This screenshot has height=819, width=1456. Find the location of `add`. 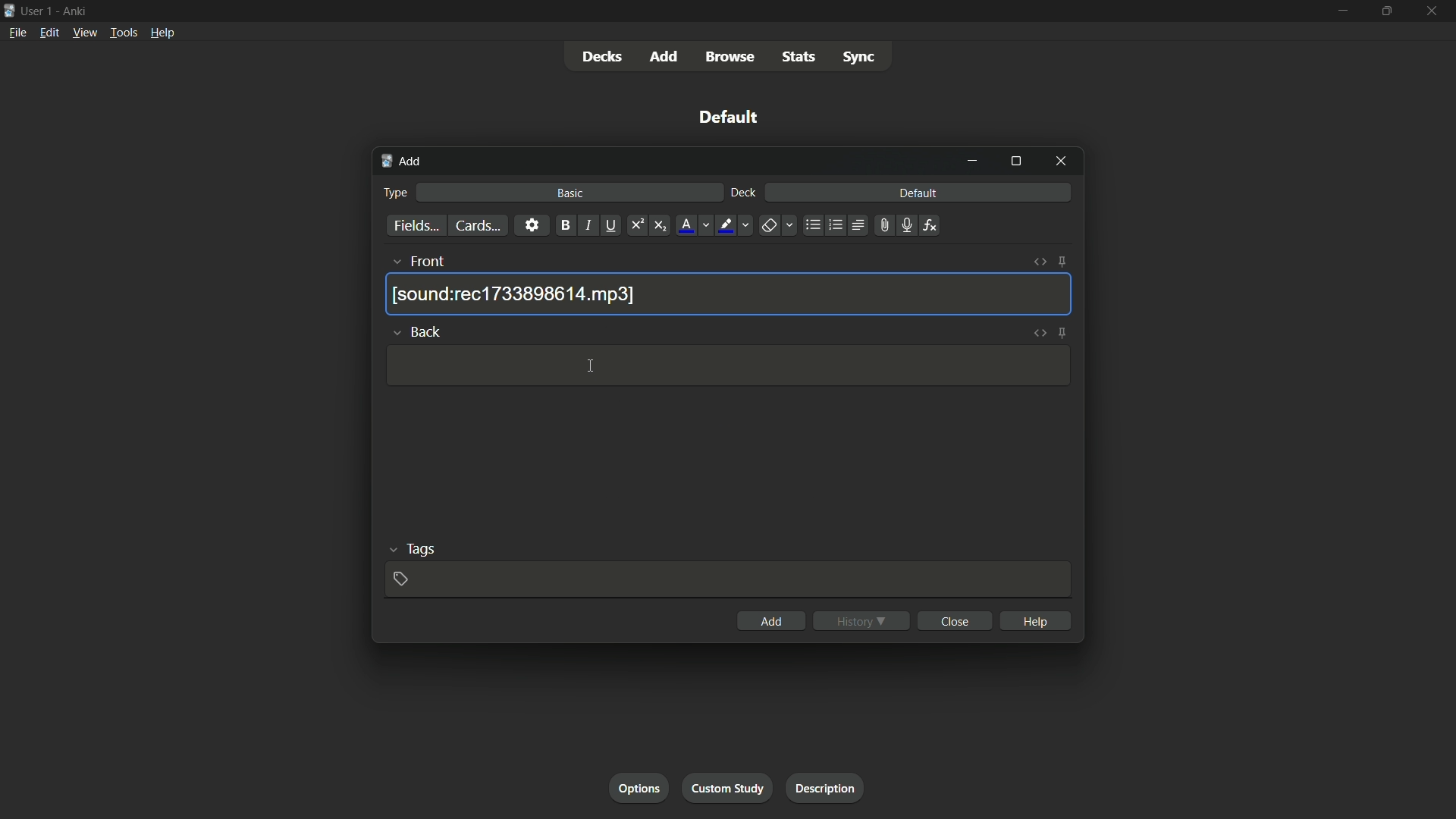

add is located at coordinates (401, 162).